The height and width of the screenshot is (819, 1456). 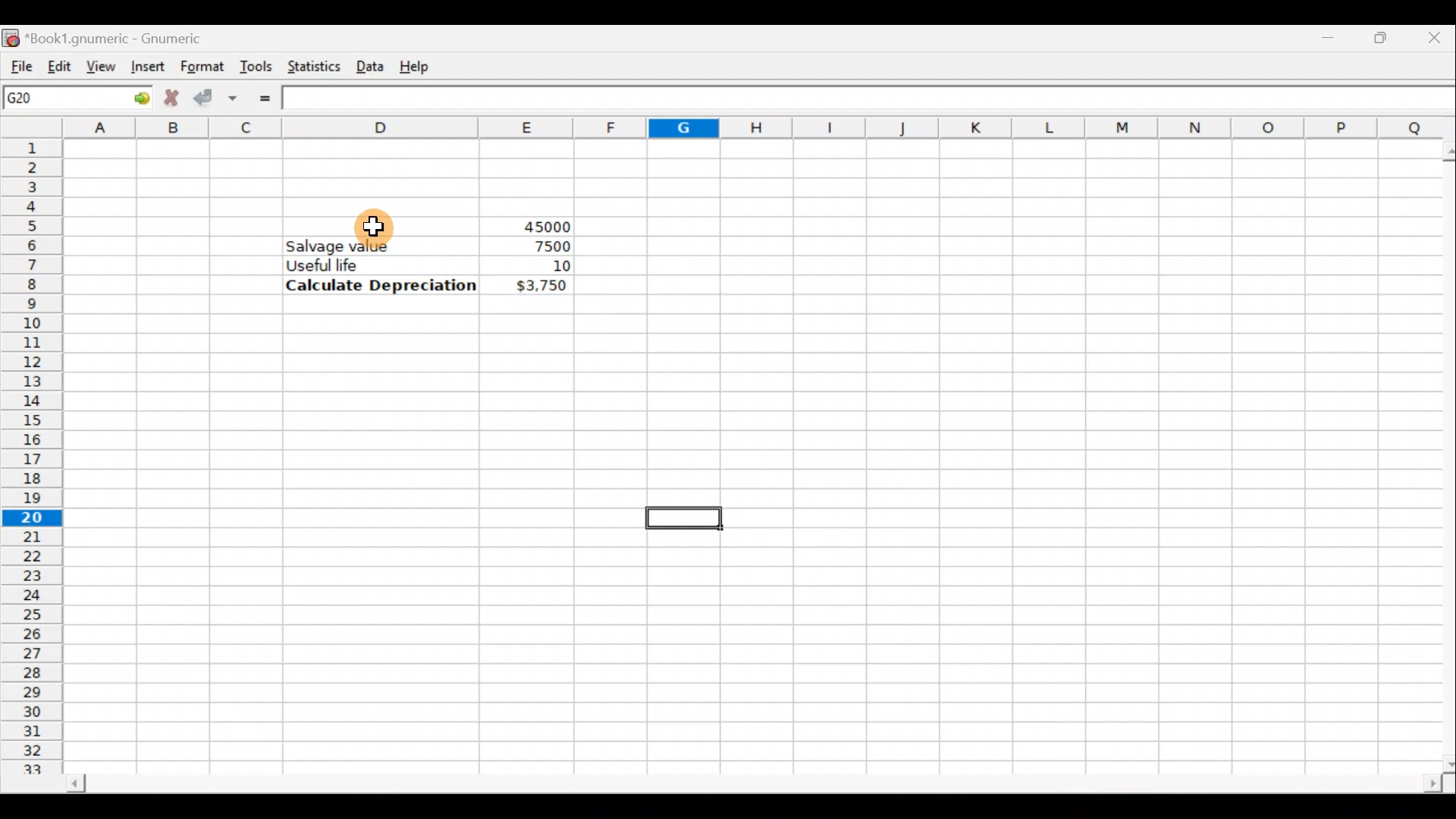 I want to click on Accept change, so click(x=215, y=96).